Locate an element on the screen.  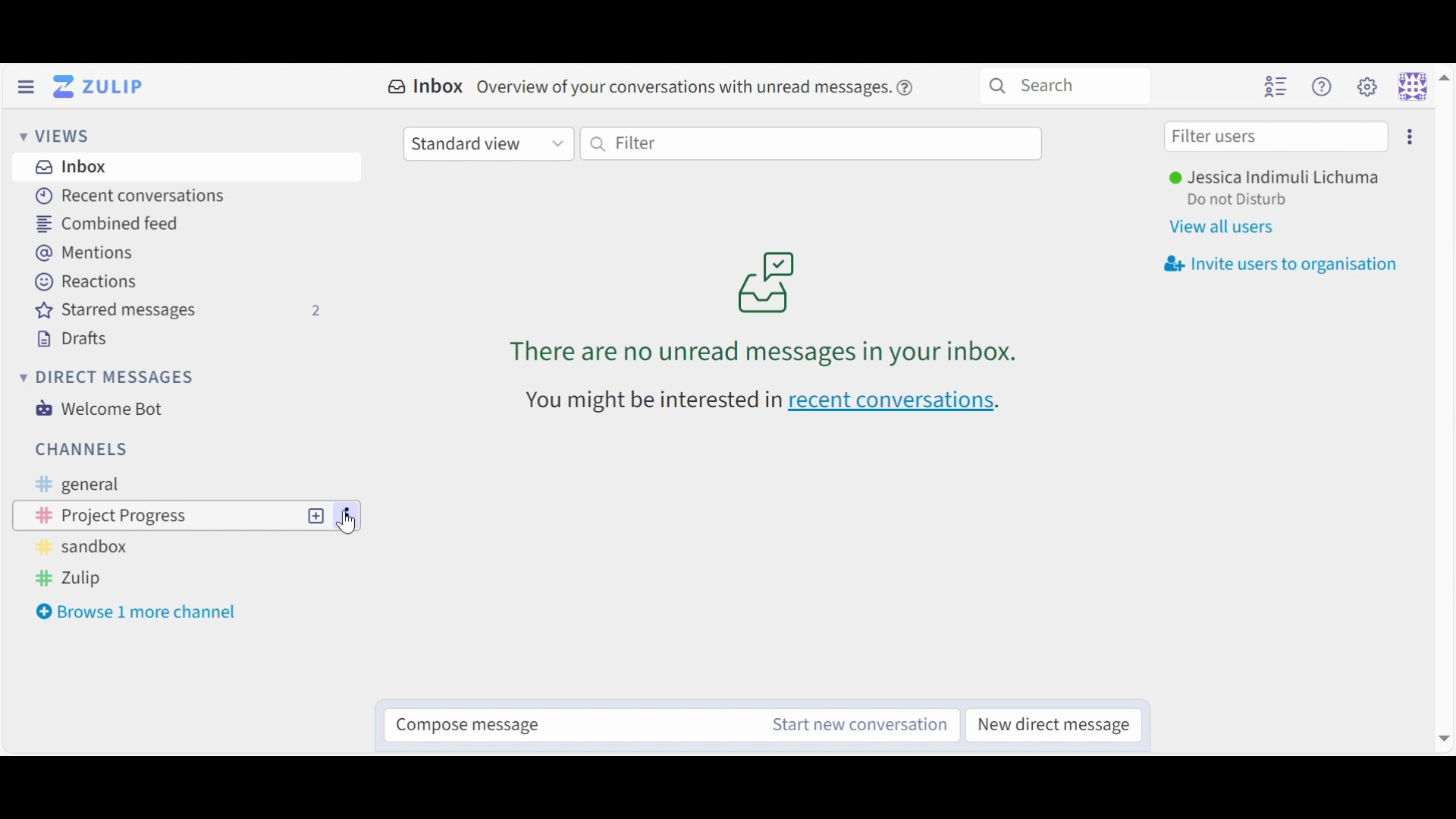
url is located at coordinates (228, 742).